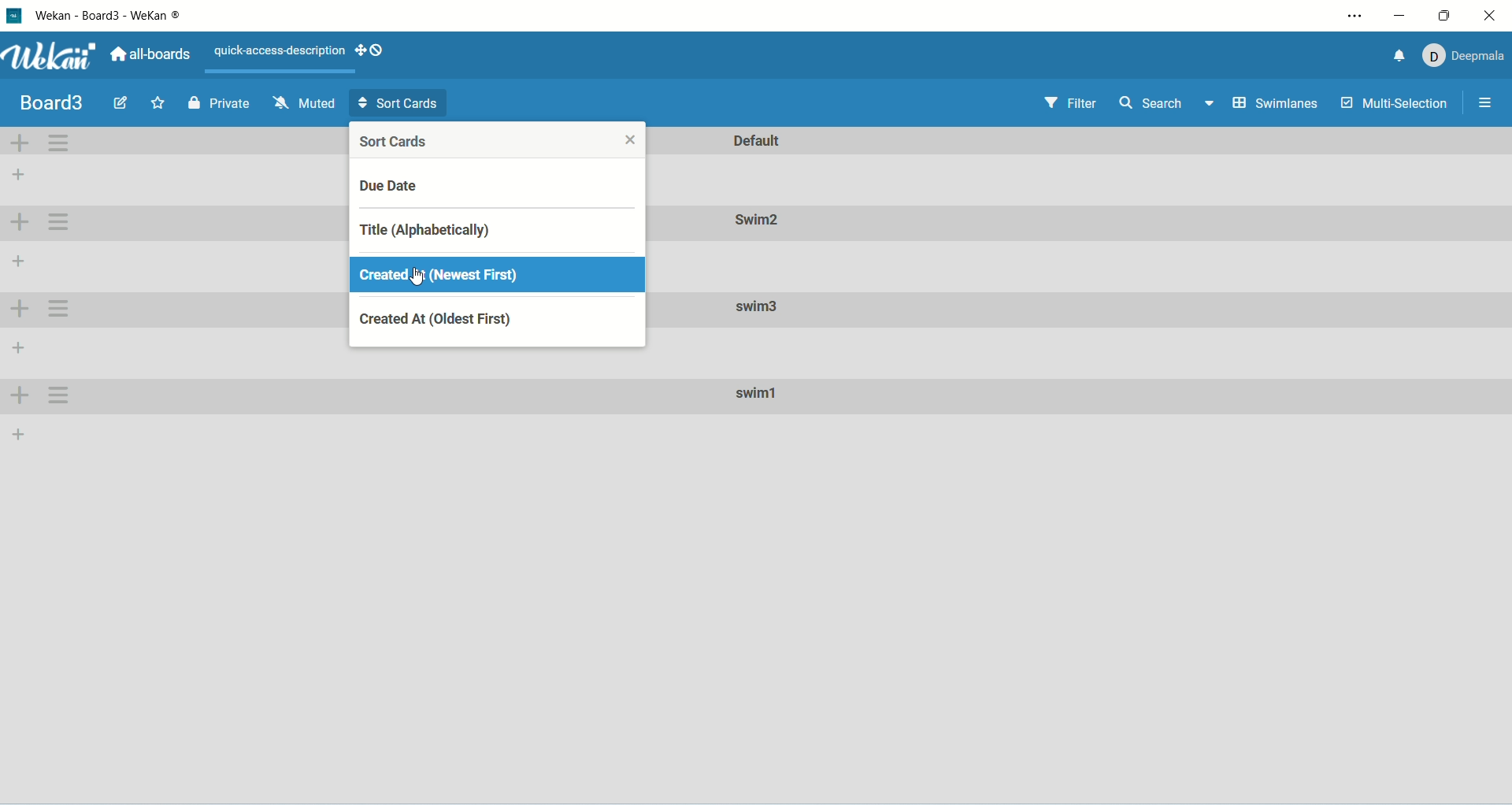 This screenshot has width=1512, height=805. Describe the element at coordinates (495, 322) in the screenshot. I see `created at (oldest first)` at that location.